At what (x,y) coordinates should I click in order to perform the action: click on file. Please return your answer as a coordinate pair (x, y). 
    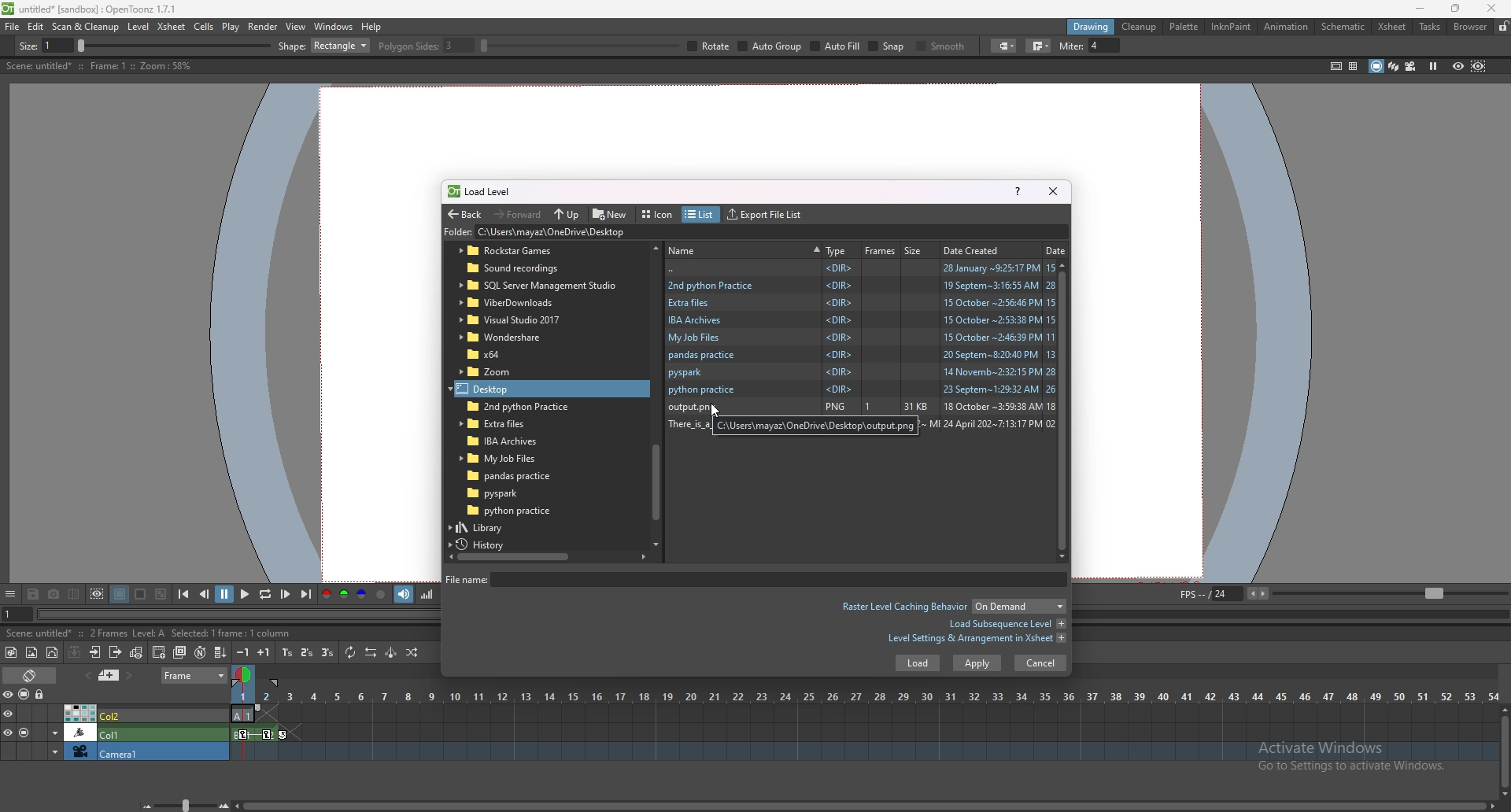
    Looking at the image, I should click on (13, 26).